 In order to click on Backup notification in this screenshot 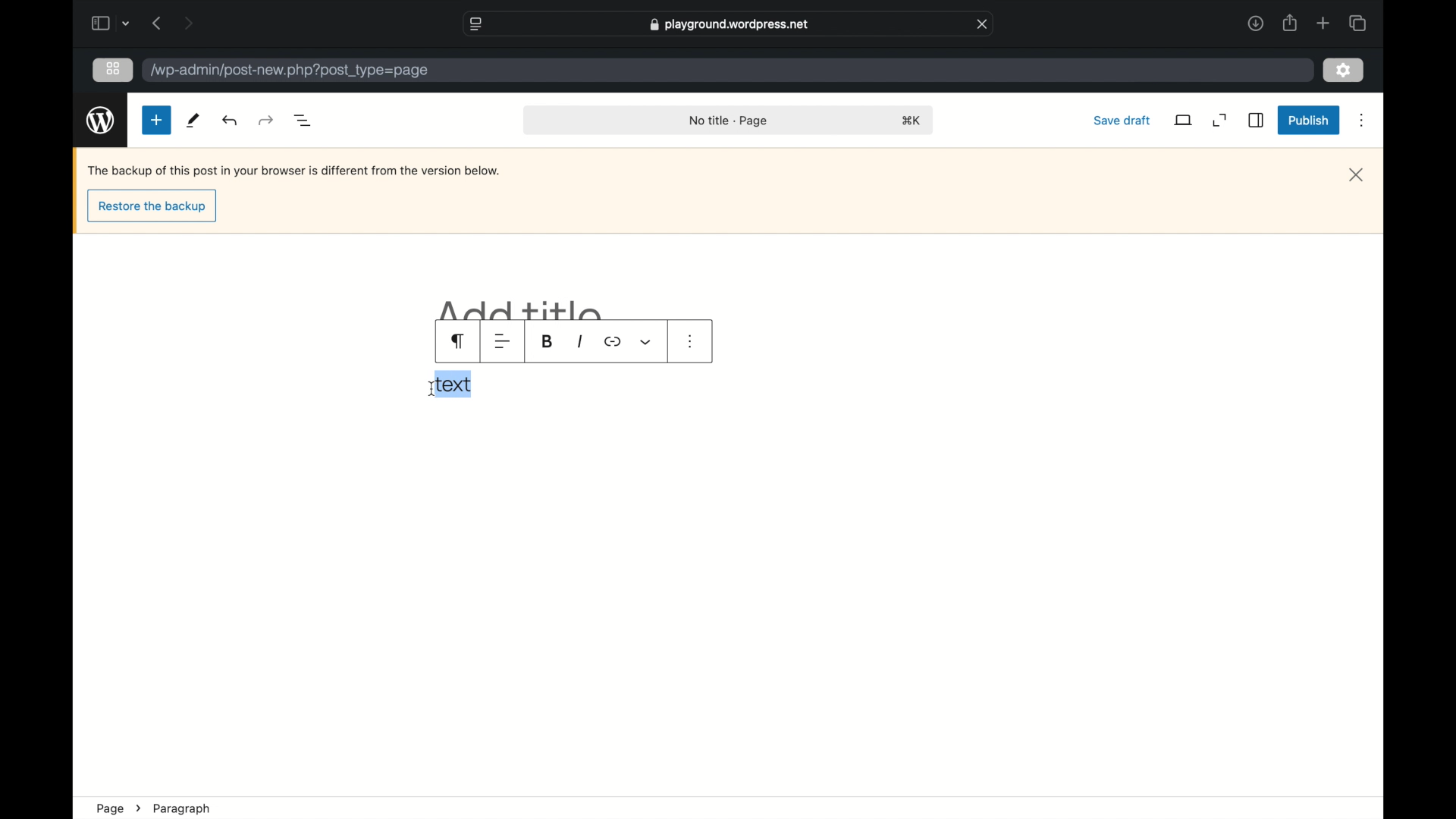, I will do `click(296, 171)`.